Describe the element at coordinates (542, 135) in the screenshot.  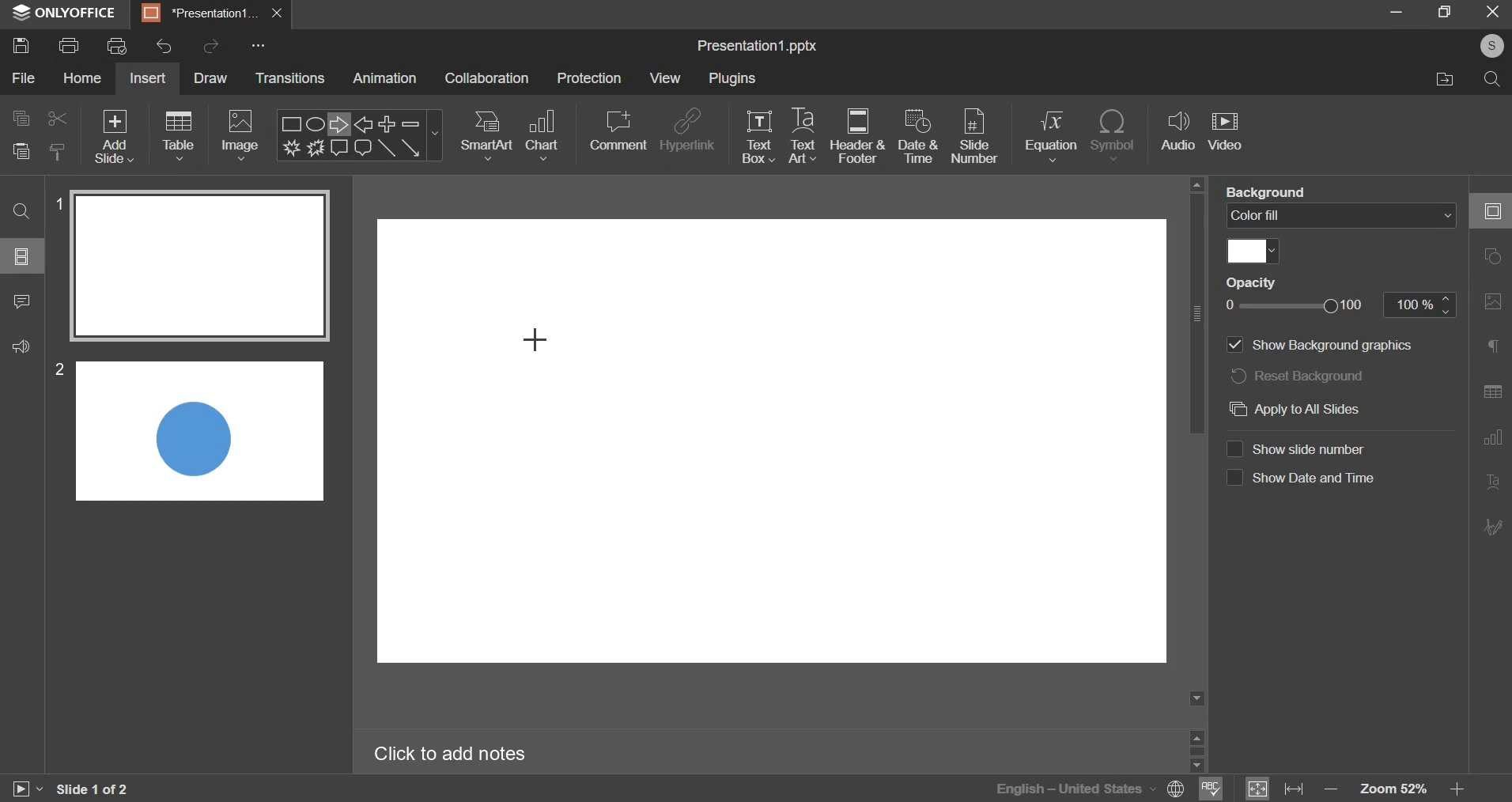
I see `chart` at that location.